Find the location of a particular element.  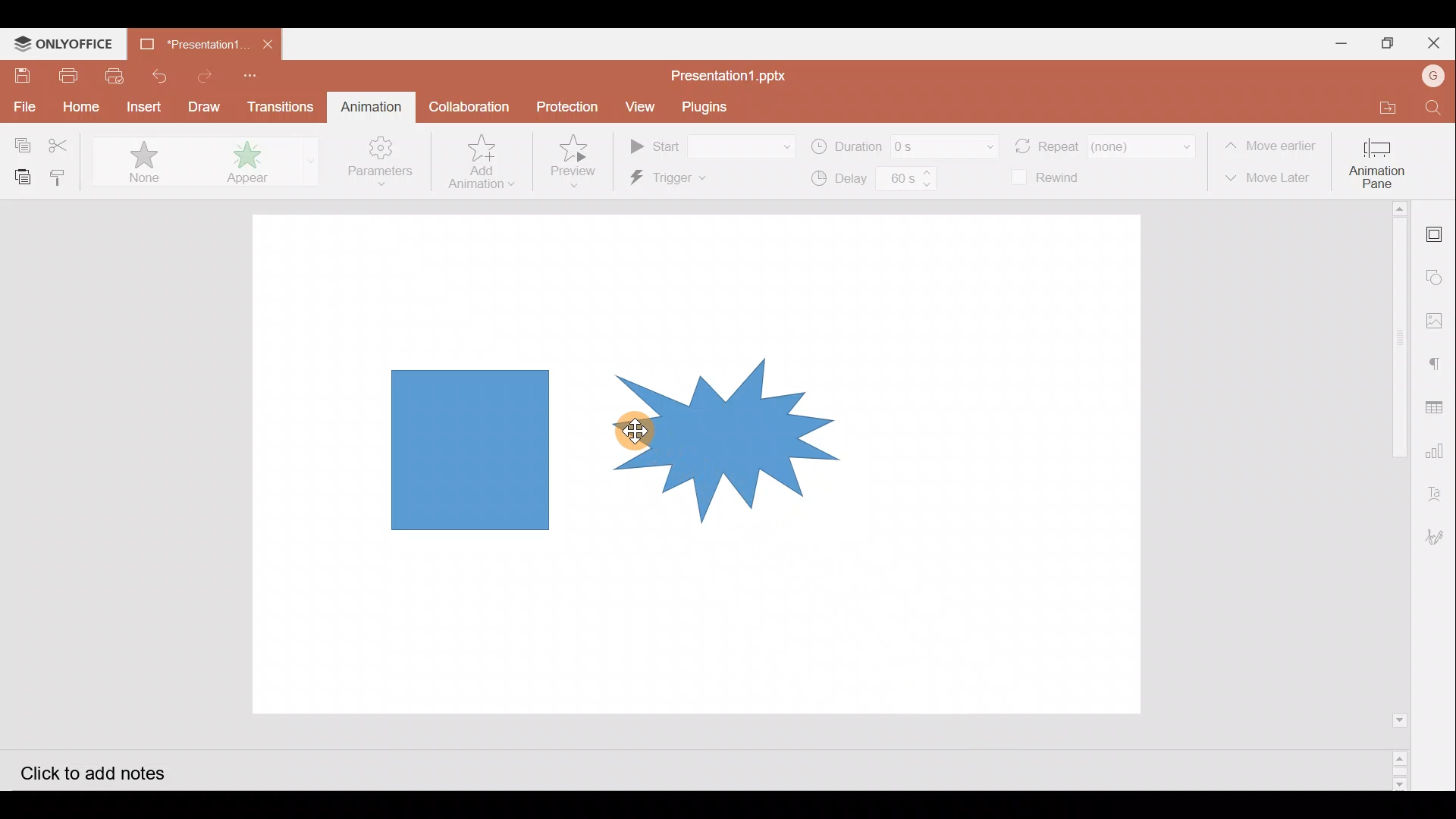

Rewind is located at coordinates (1054, 179).